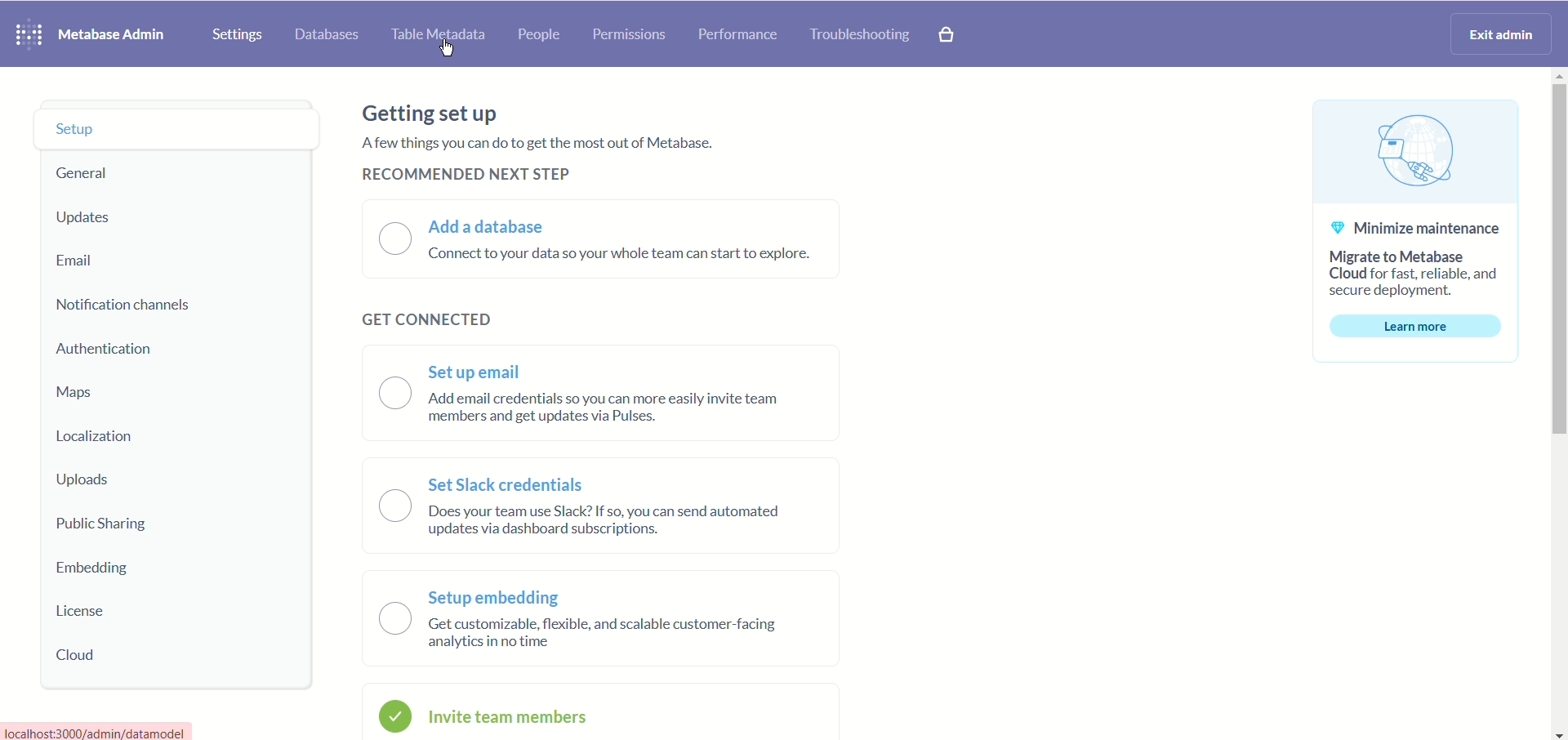  I want to click on recommended next step, so click(465, 175).